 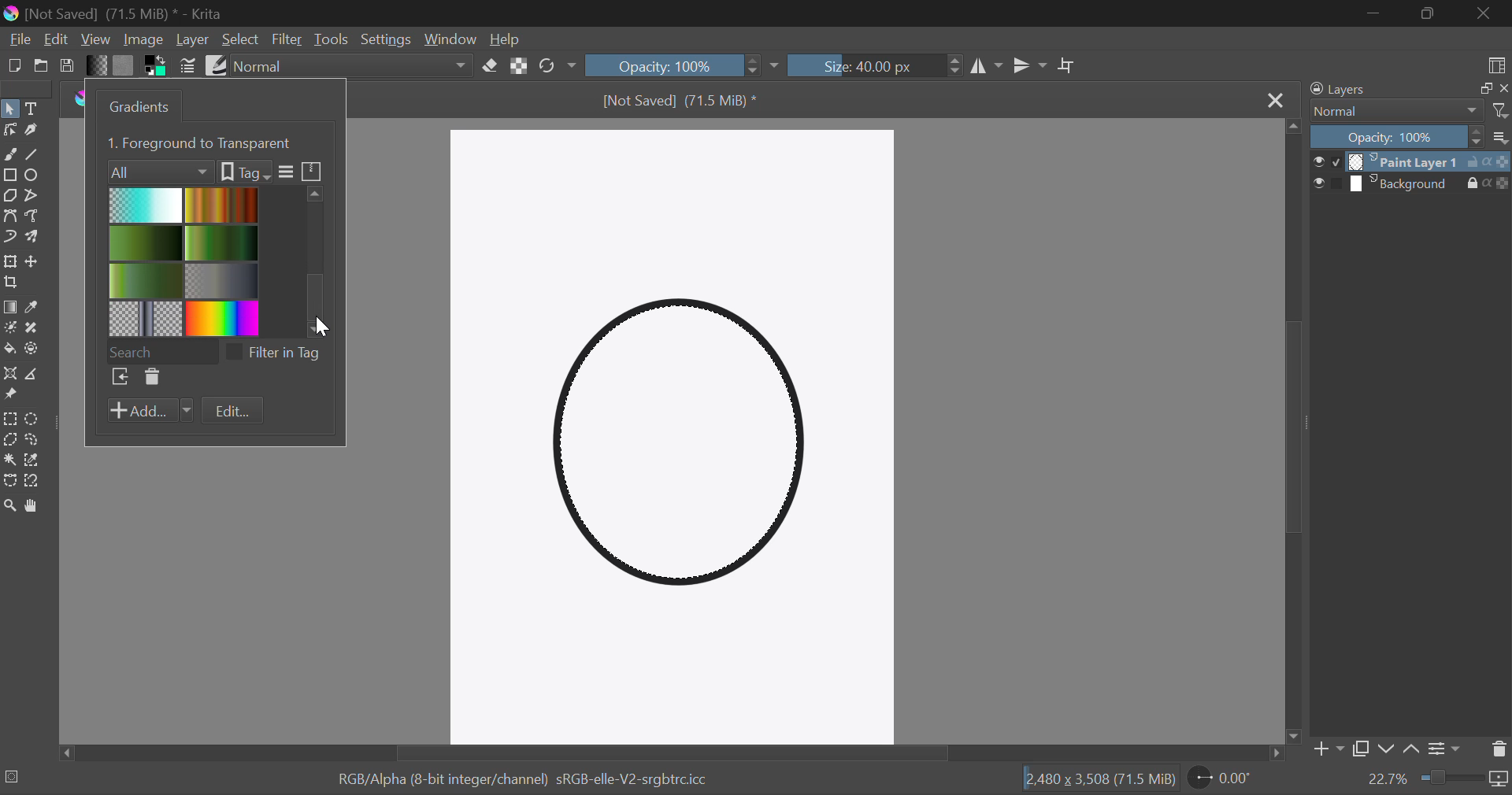 I want to click on scroll bar, so click(x=317, y=262).